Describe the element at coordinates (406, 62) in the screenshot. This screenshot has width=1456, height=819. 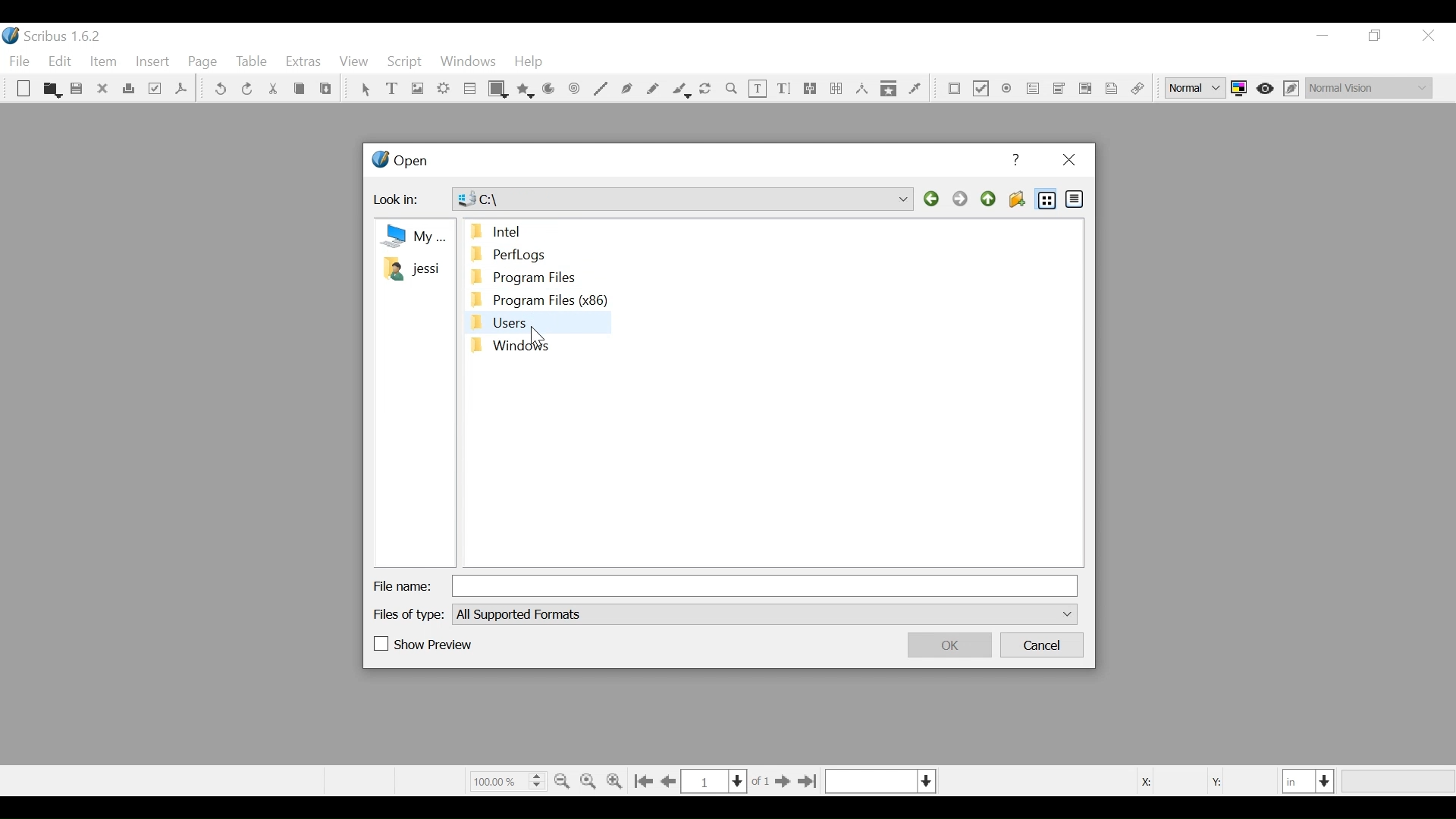
I see `Script` at that location.